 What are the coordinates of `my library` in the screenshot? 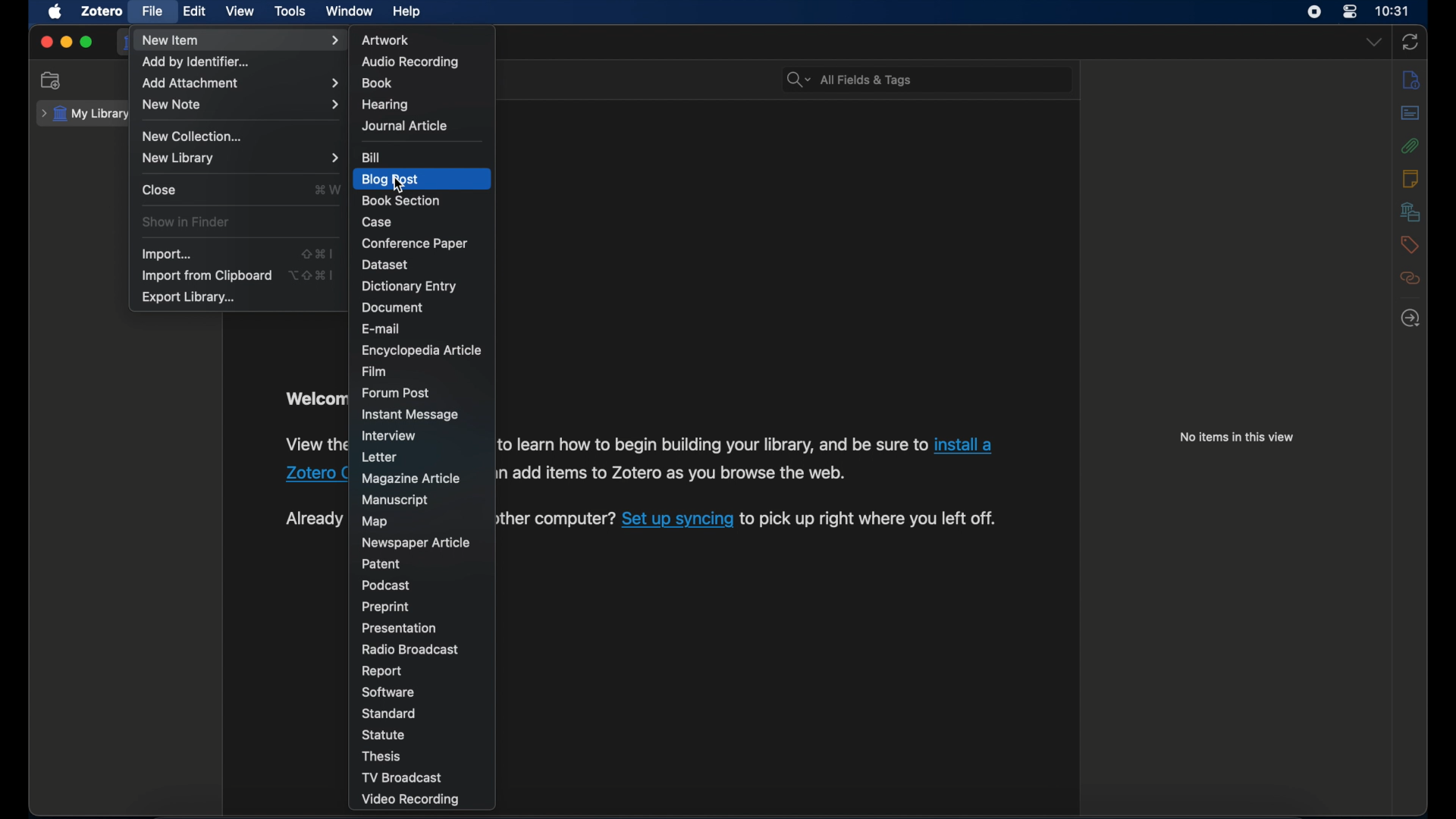 It's located at (86, 114).